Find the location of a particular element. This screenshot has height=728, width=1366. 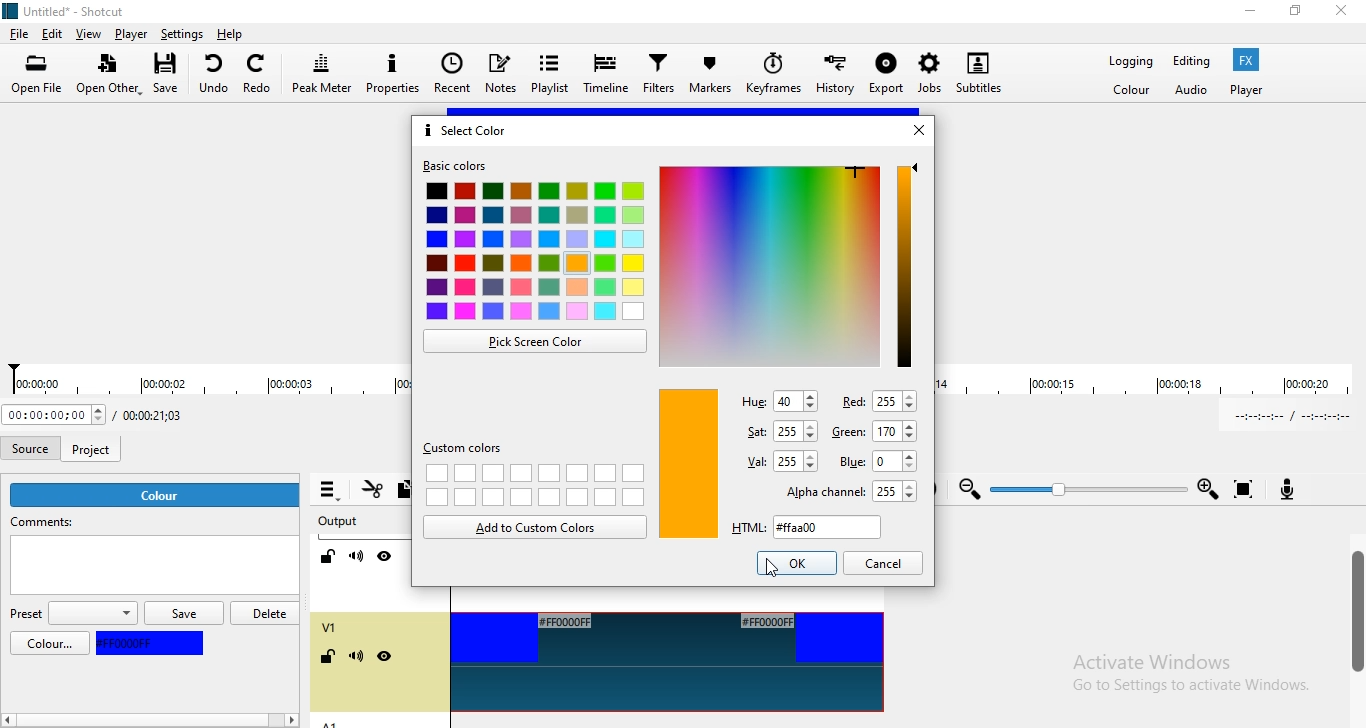

Lock is located at coordinates (330, 557).